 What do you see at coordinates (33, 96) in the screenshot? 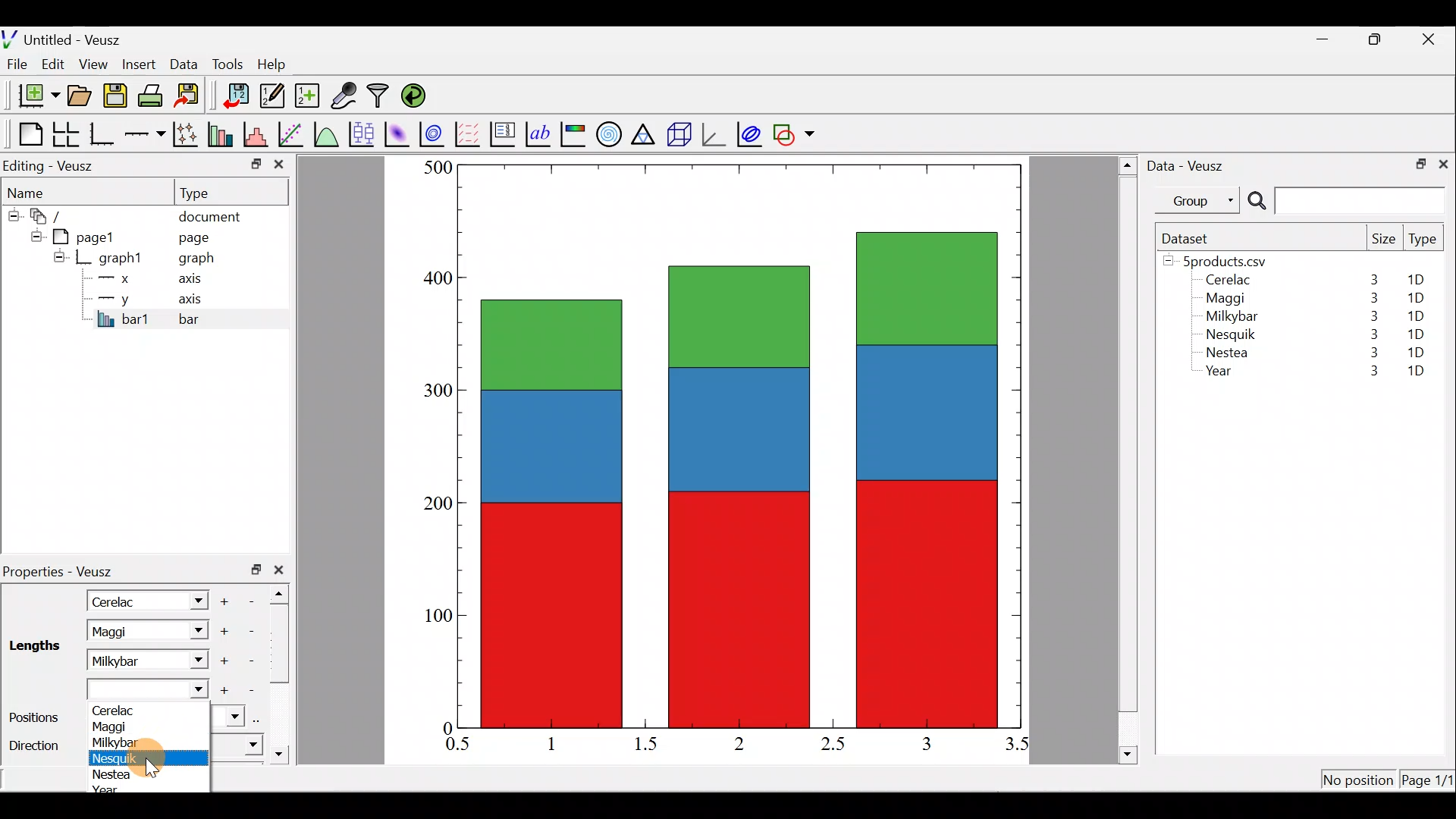
I see `New document` at bounding box center [33, 96].